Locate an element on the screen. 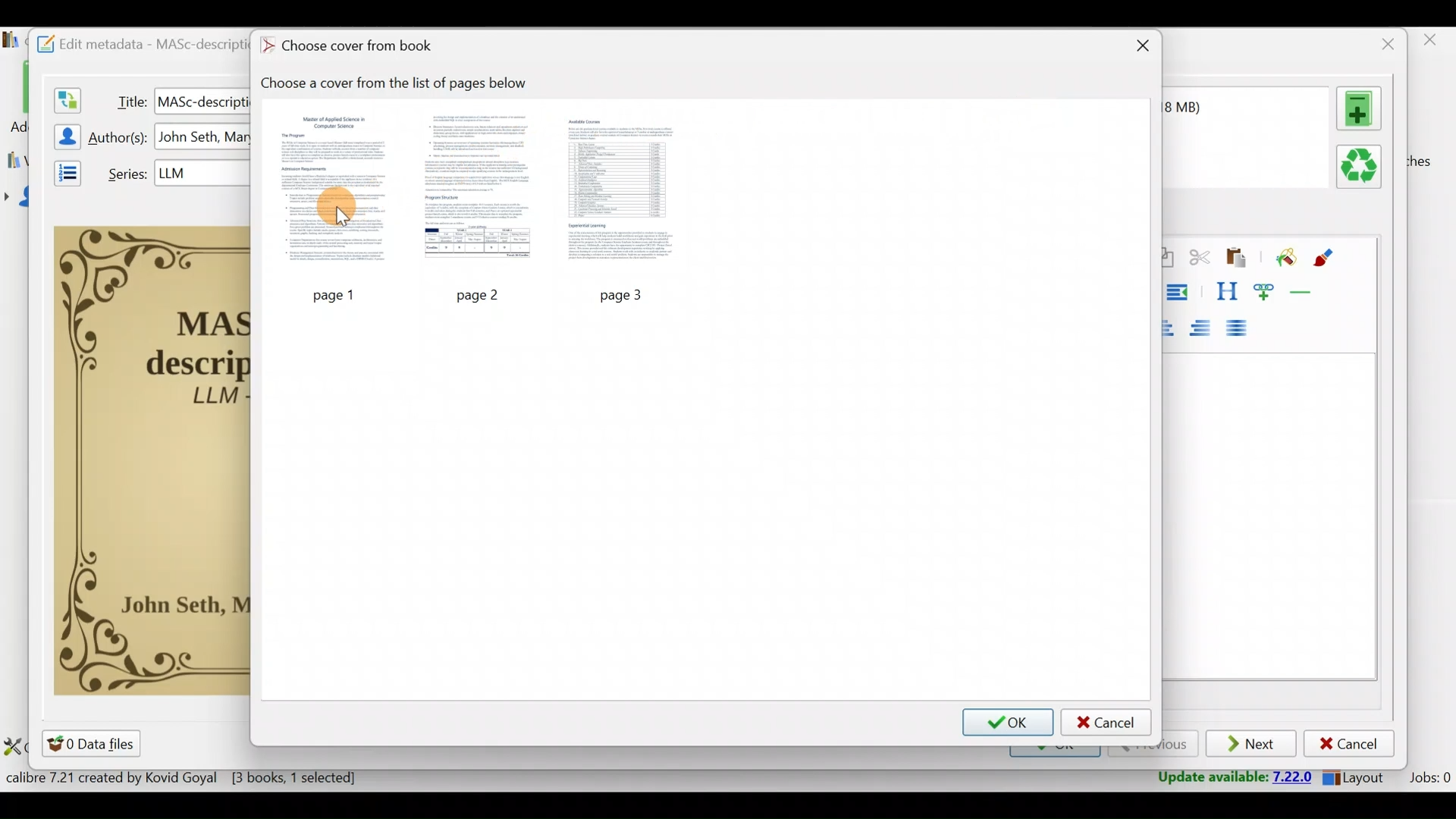  Page 1 is located at coordinates (331, 193).